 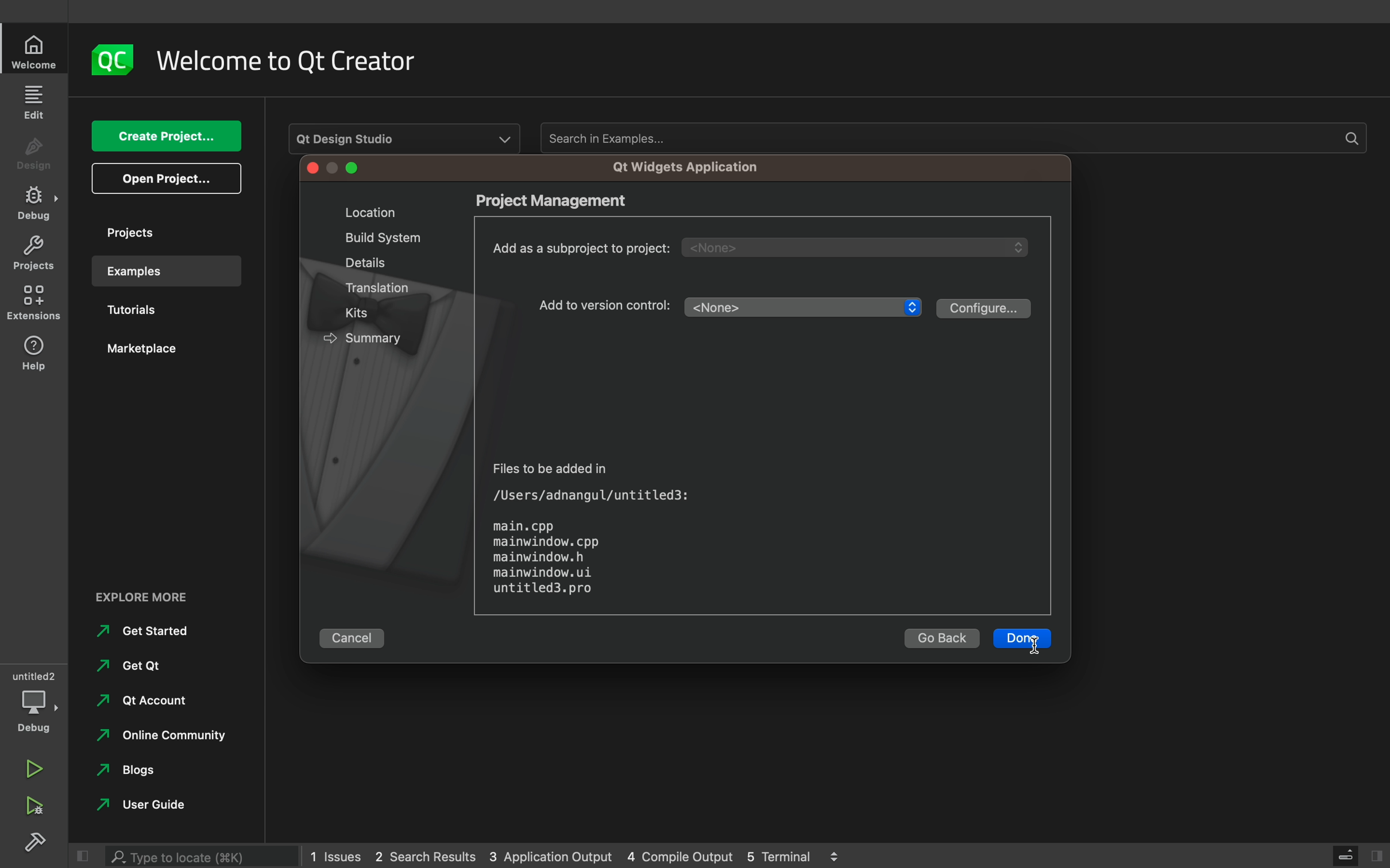 What do you see at coordinates (34, 203) in the screenshot?
I see `` at bounding box center [34, 203].